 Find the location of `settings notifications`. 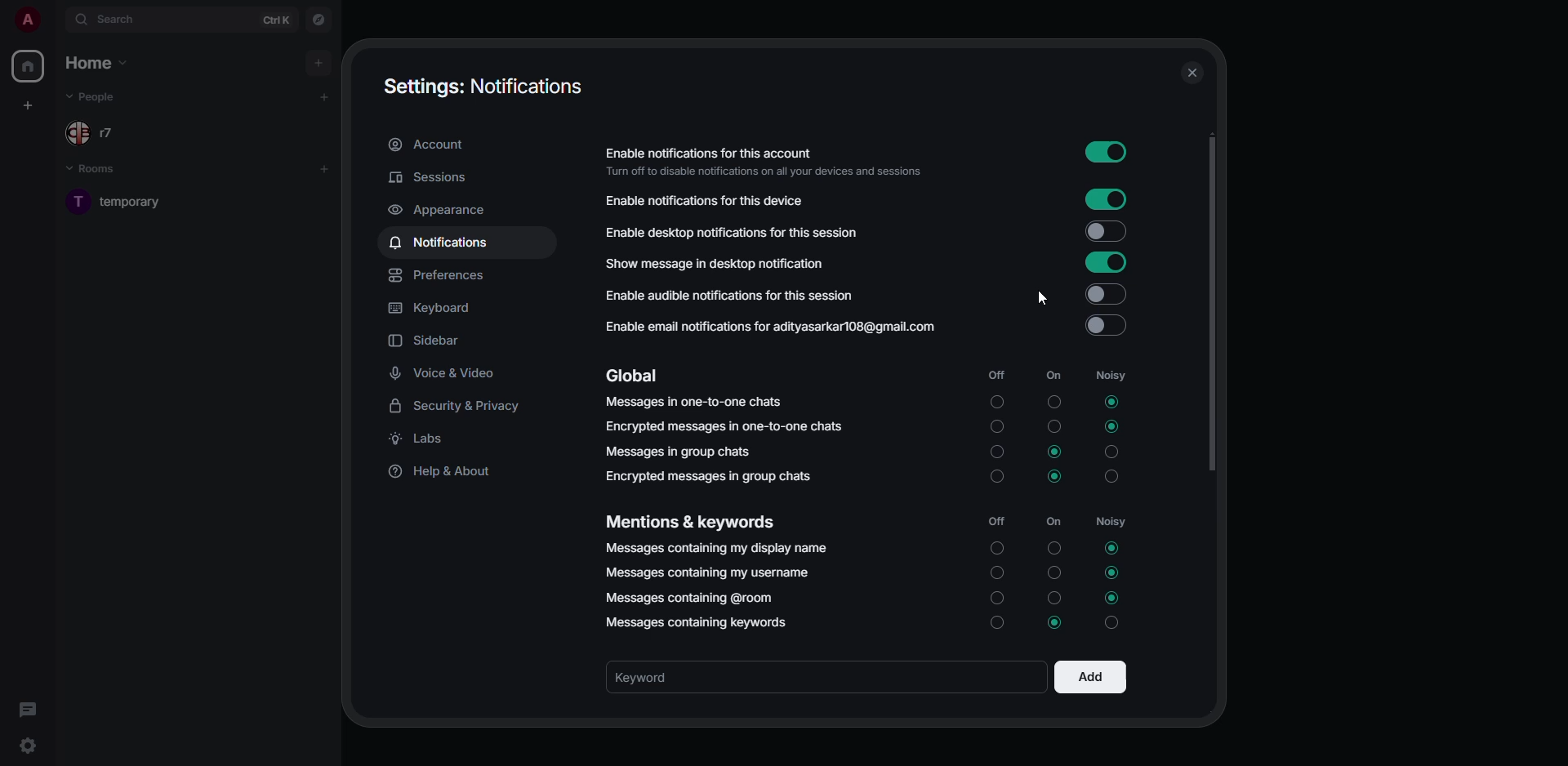

settings notifications is located at coordinates (481, 87).